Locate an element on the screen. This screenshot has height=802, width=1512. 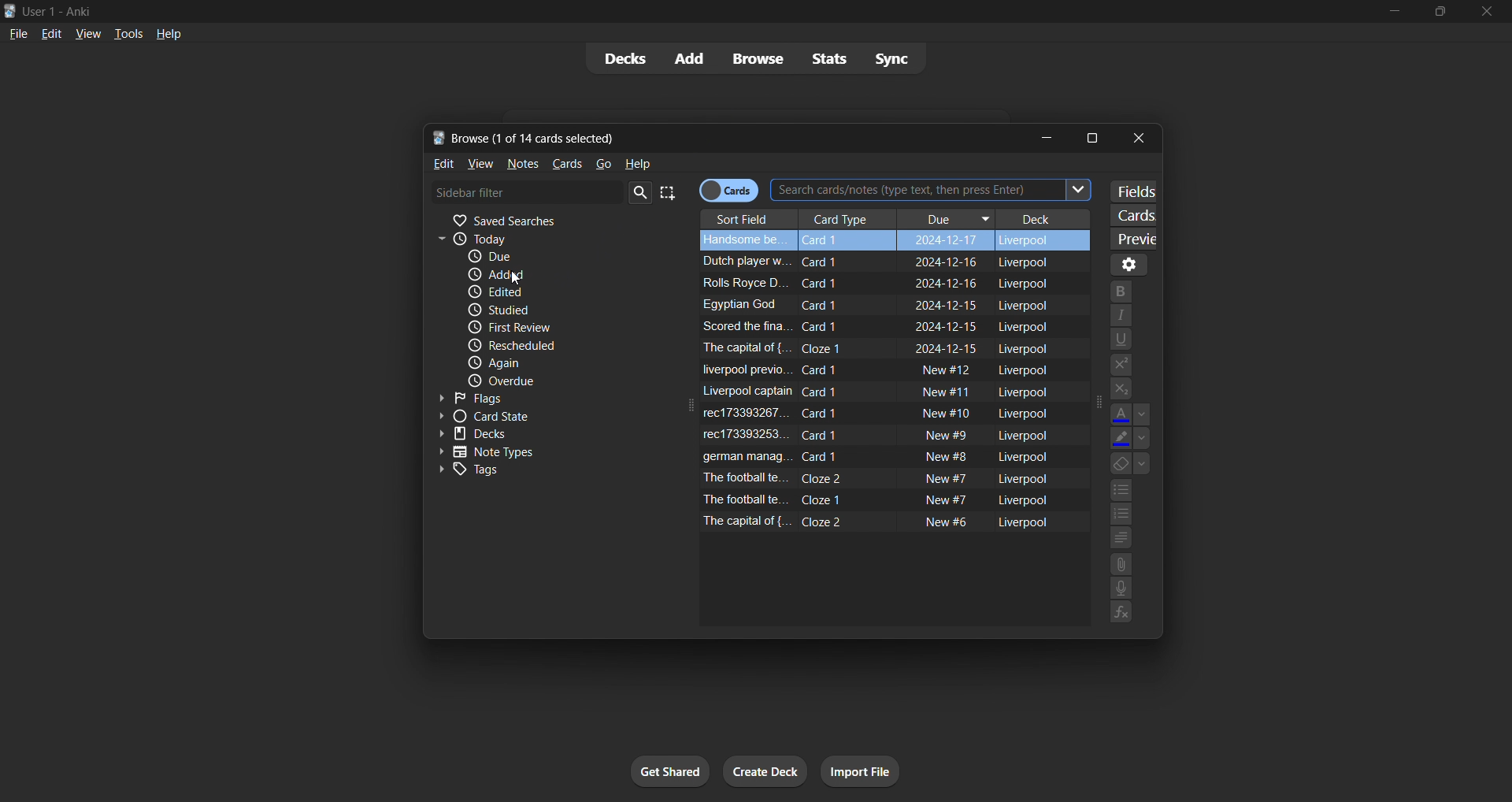
add is located at coordinates (680, 56).